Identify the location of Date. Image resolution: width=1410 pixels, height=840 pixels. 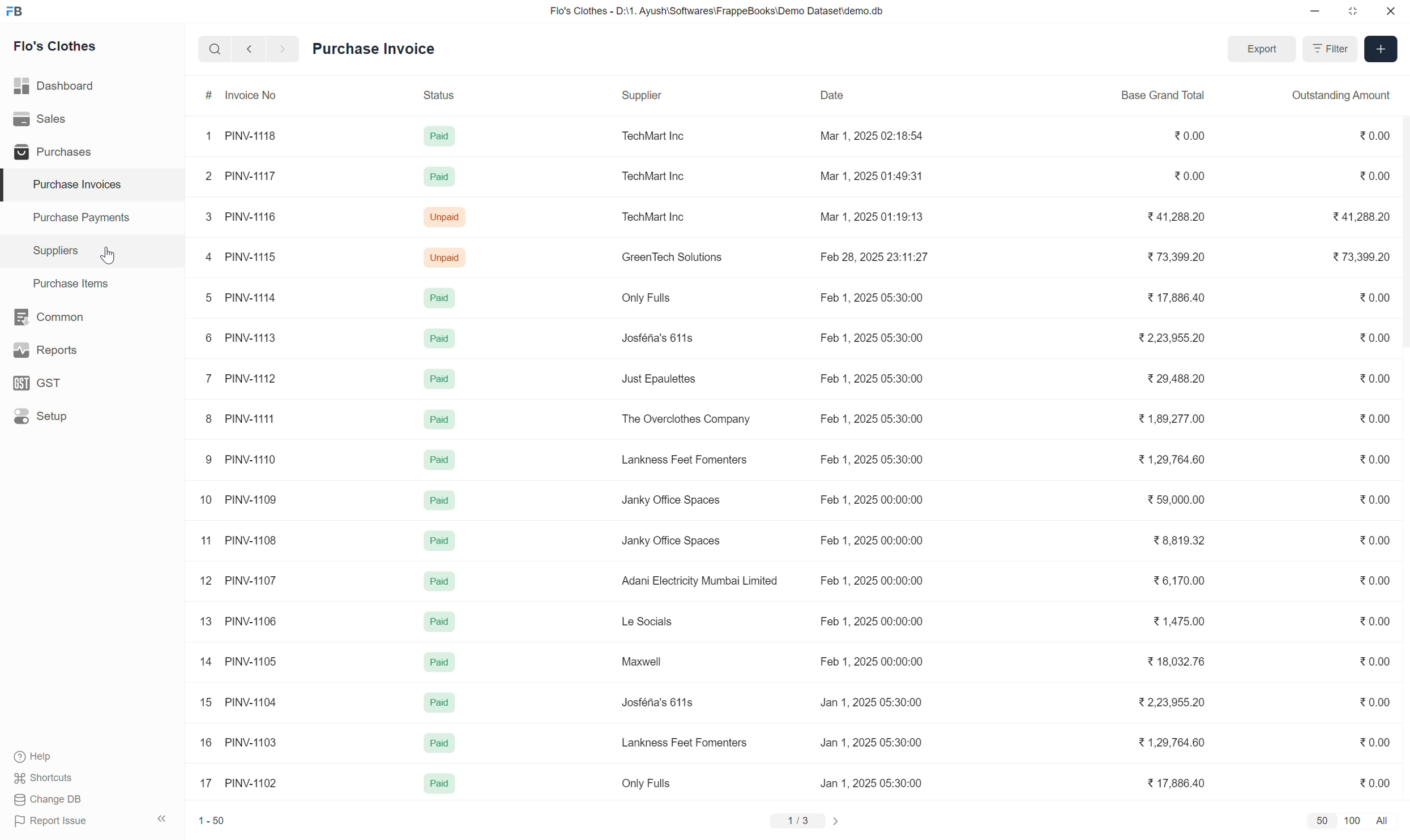
(837, 97).